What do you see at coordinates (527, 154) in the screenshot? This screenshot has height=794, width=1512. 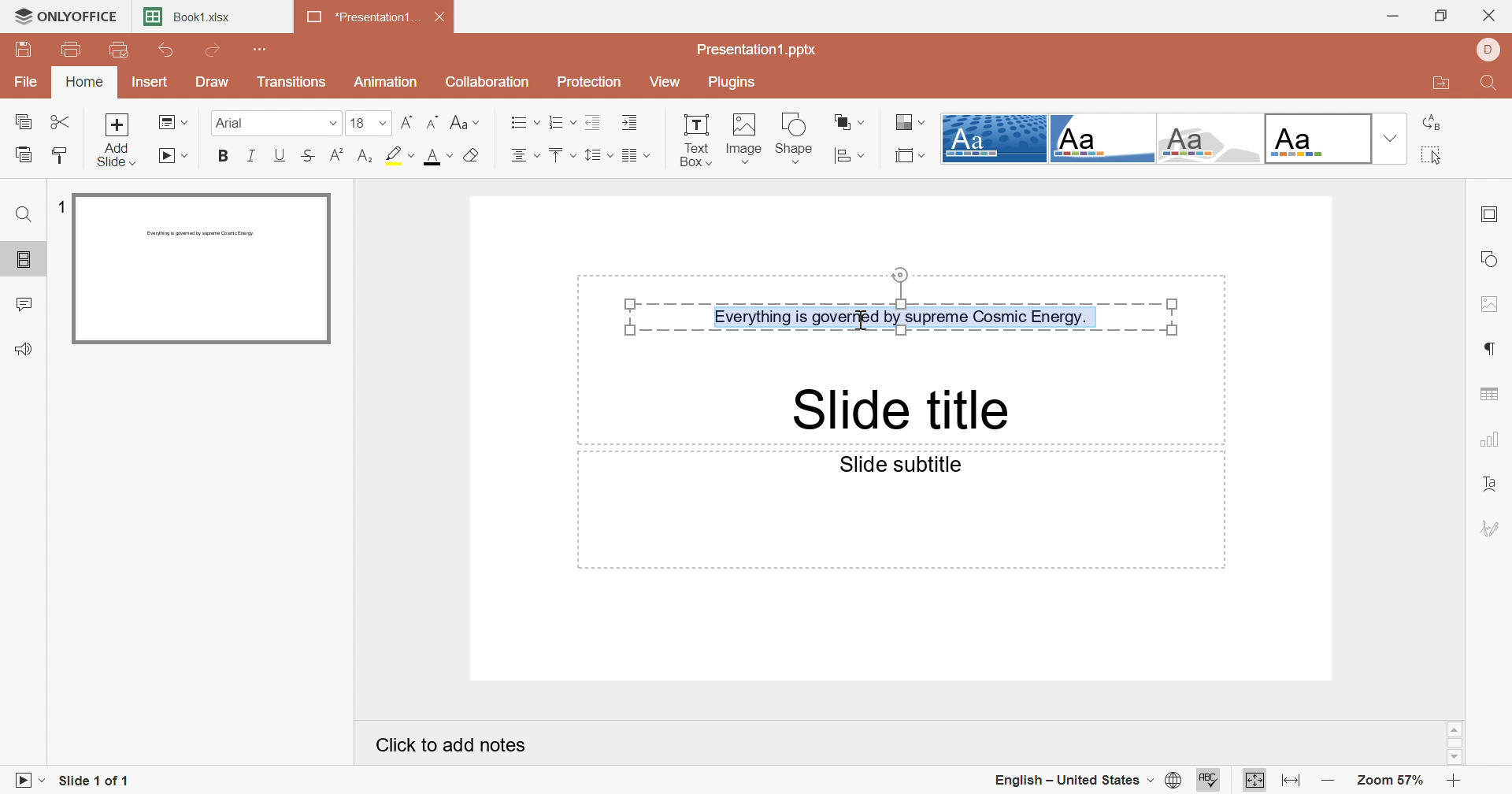 I see `Align center` at bounding box center [527, 154].